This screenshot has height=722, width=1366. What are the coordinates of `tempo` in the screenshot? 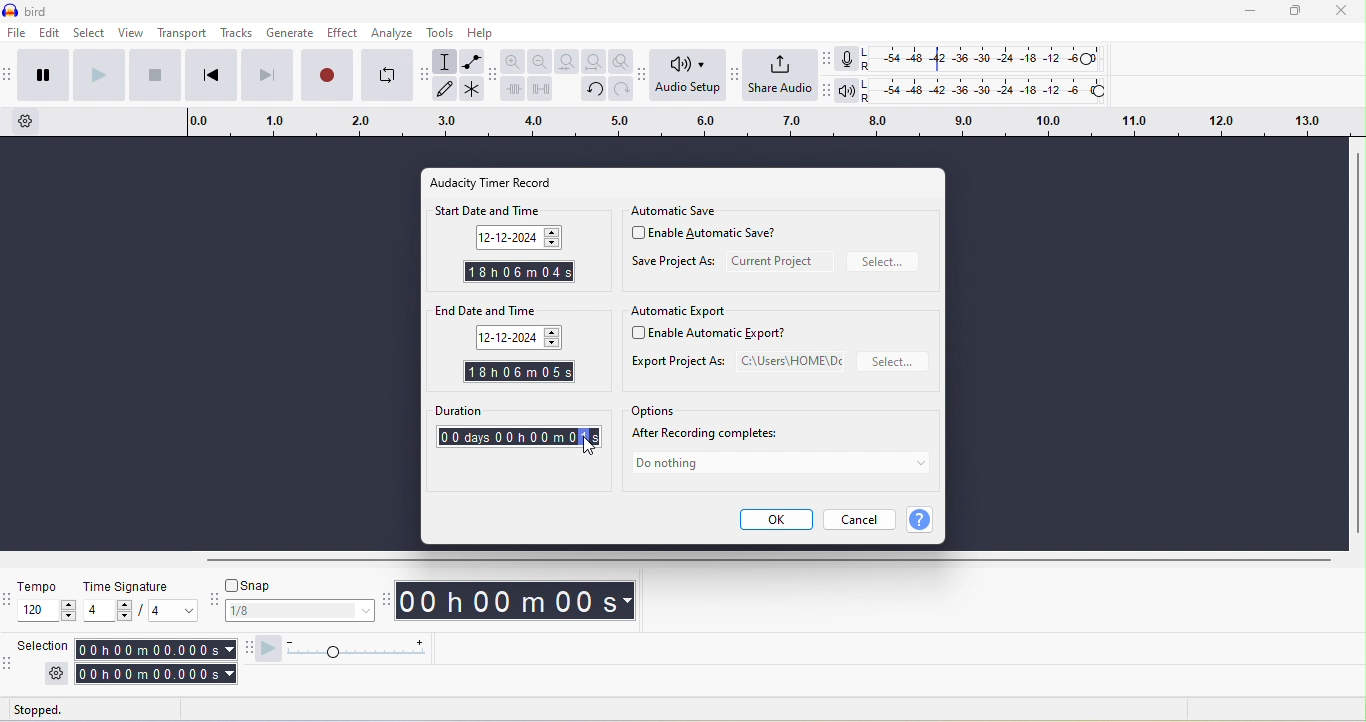 It's located at (47, 610).